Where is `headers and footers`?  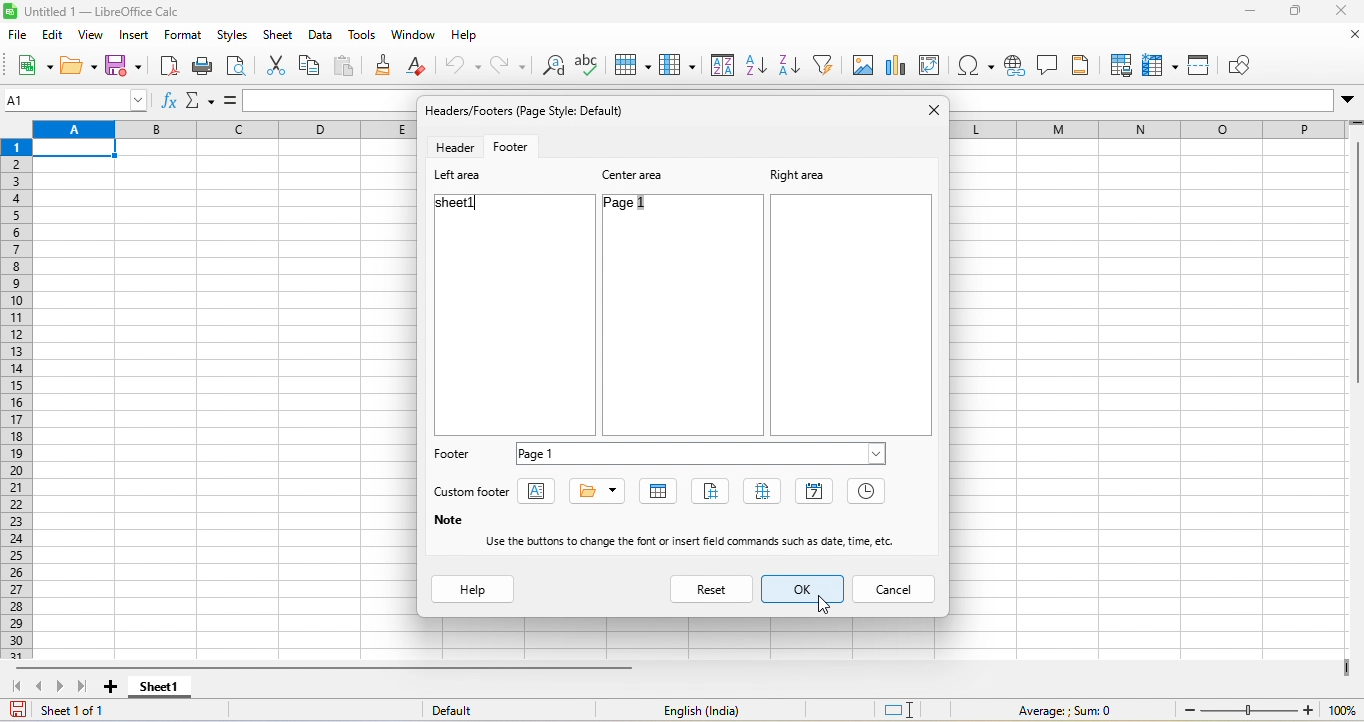
headers and footers is located at coordinates (1080, 64).